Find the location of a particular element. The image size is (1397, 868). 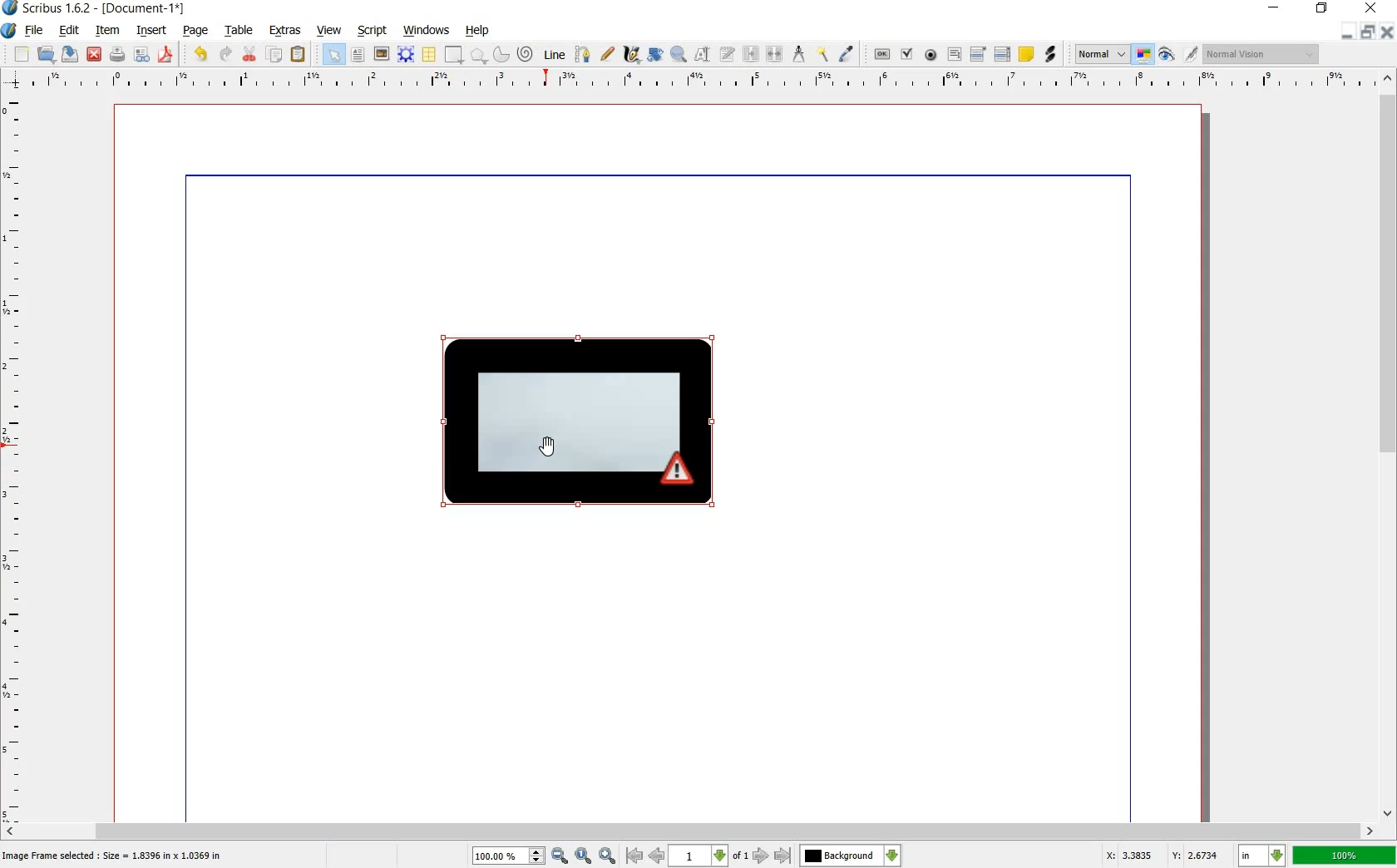

ruler is located at coordinates (700, 81).